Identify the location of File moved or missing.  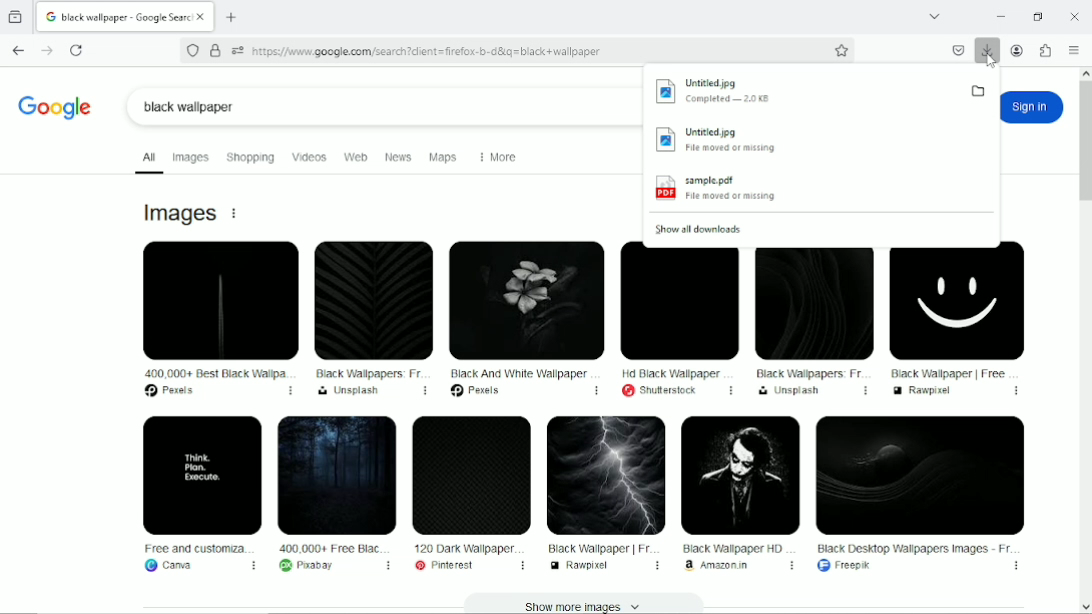
(818, 191).